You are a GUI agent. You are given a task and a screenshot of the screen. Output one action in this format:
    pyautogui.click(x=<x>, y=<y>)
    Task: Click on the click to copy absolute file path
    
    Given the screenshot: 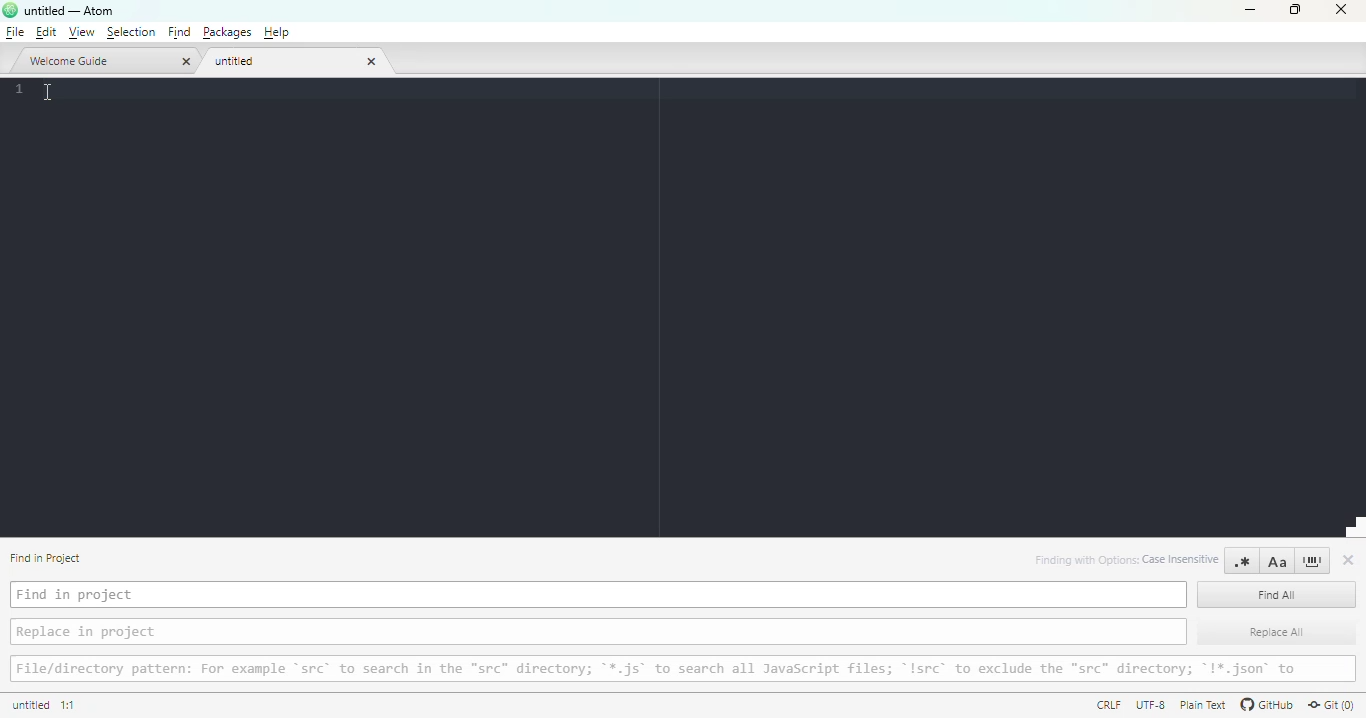 What is the action you would take?
    pyautogui.click(x=30, y=703)
    